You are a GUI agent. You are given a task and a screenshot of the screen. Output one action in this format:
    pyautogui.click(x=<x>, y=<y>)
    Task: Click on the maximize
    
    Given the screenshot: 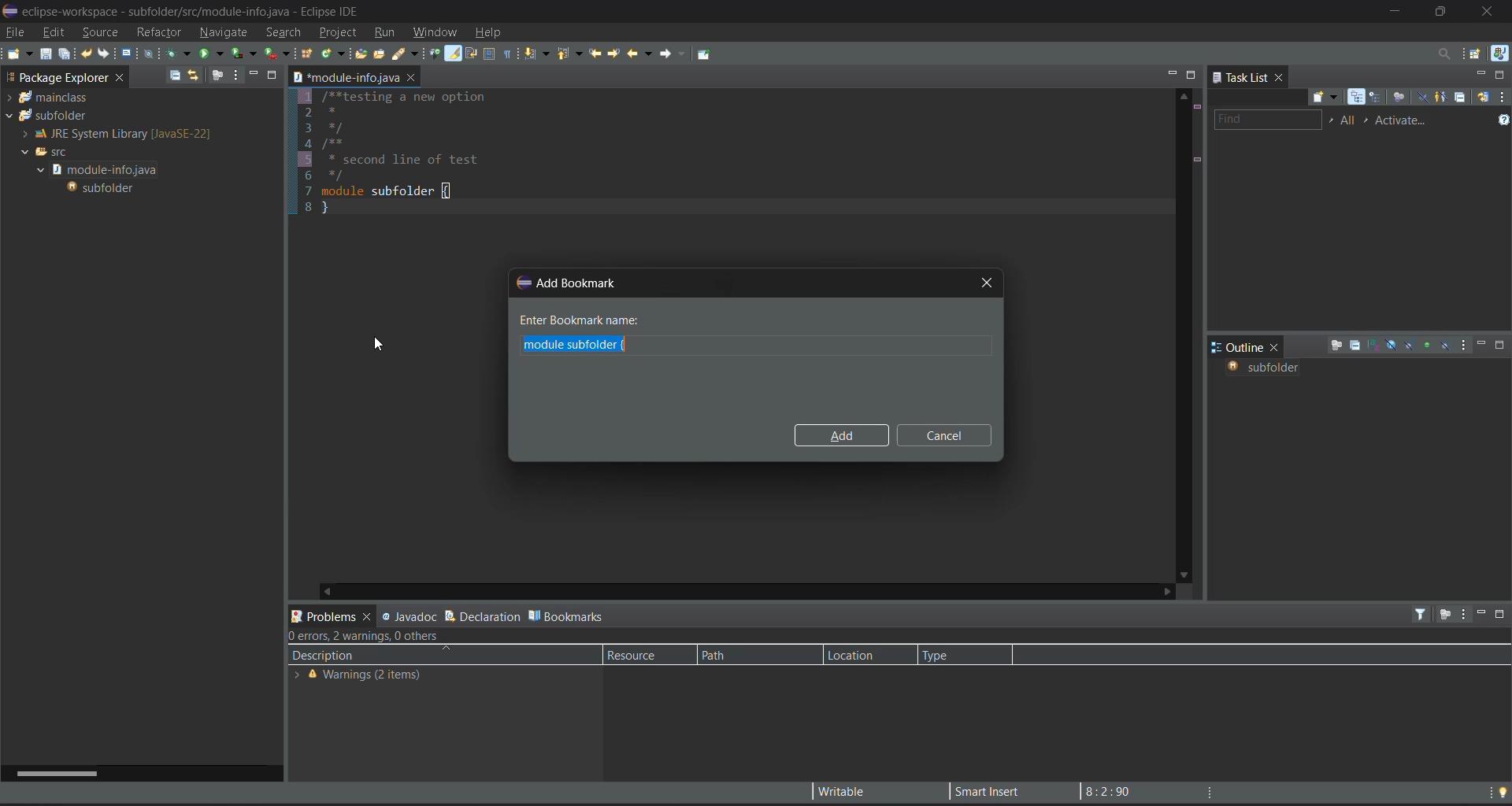 What is the action you would take?
    pyautogui.click(x=1191, y=75)
    